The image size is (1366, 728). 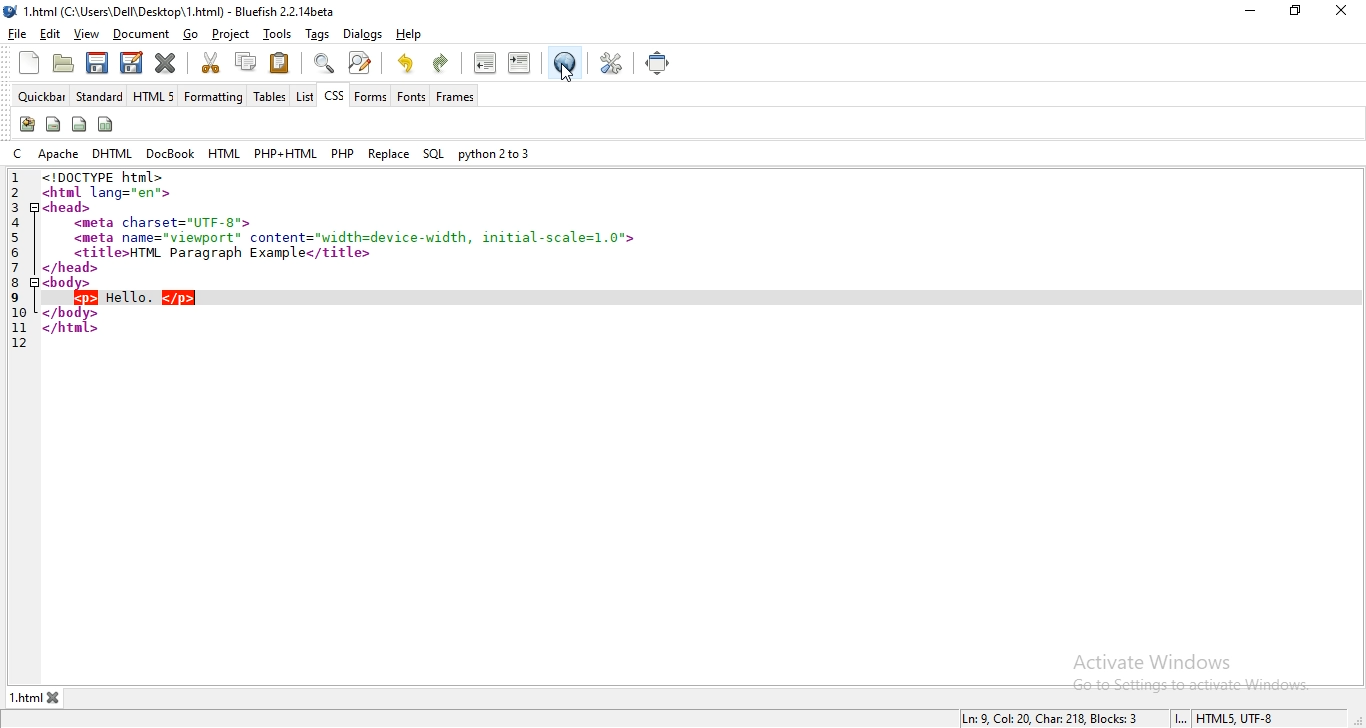 What do you see at coordinates (98, 94) in the screenshot?
I see `standard` at bounding box center [98, 94].